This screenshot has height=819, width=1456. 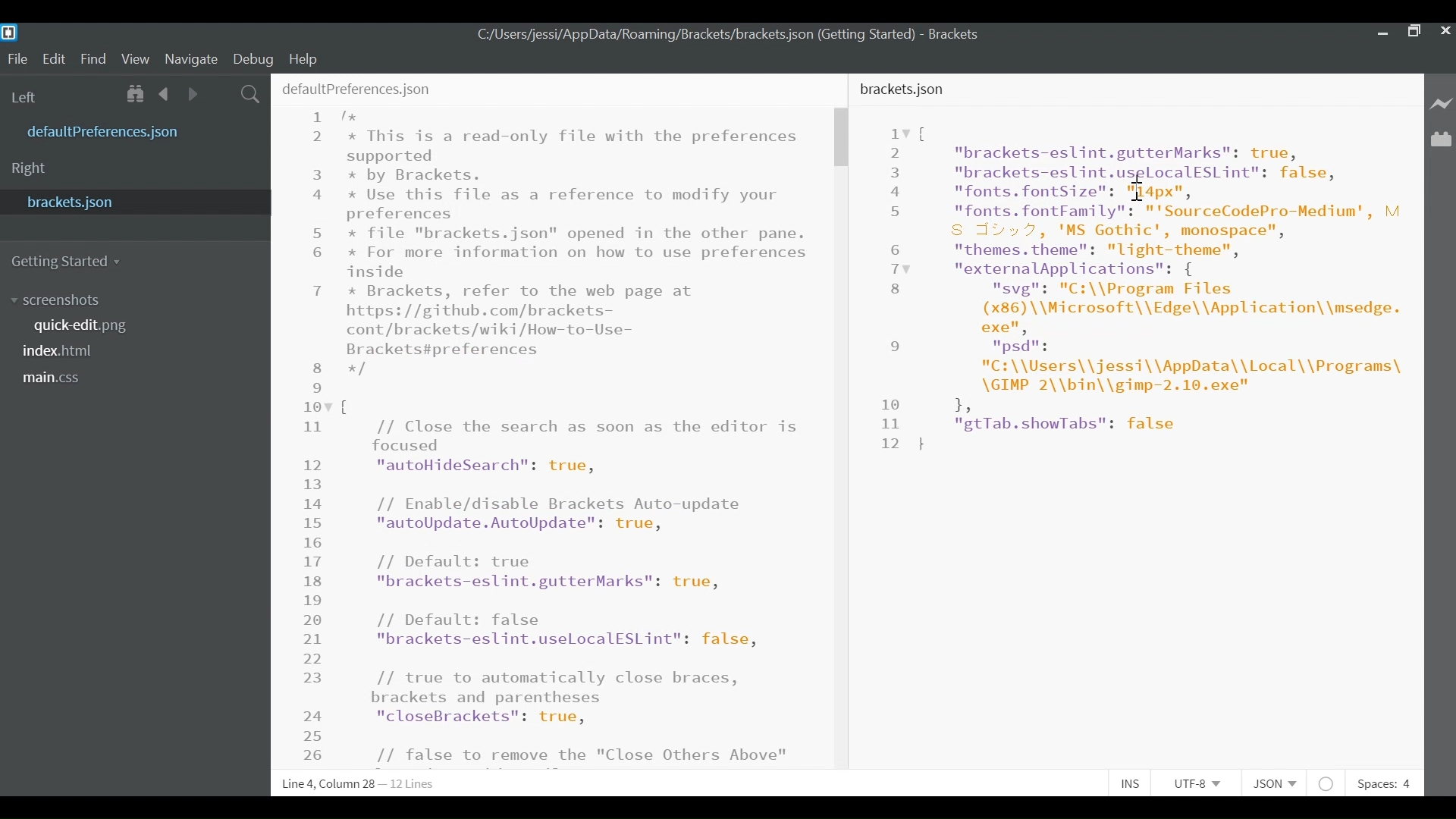 I want to click on quickedit.png, so click(x=93, y=325).